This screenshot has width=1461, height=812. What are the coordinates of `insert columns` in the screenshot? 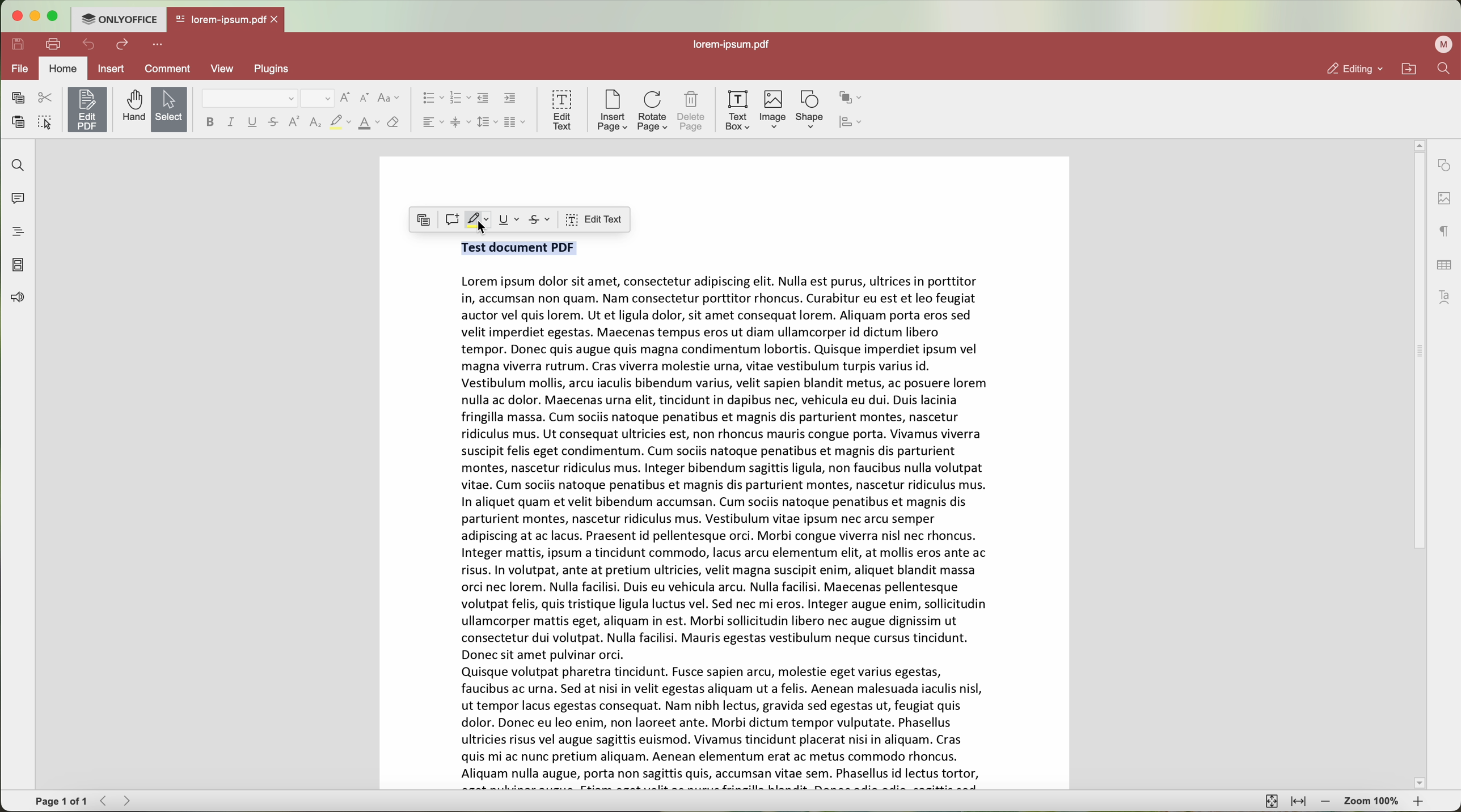 It's located at (514, 122).